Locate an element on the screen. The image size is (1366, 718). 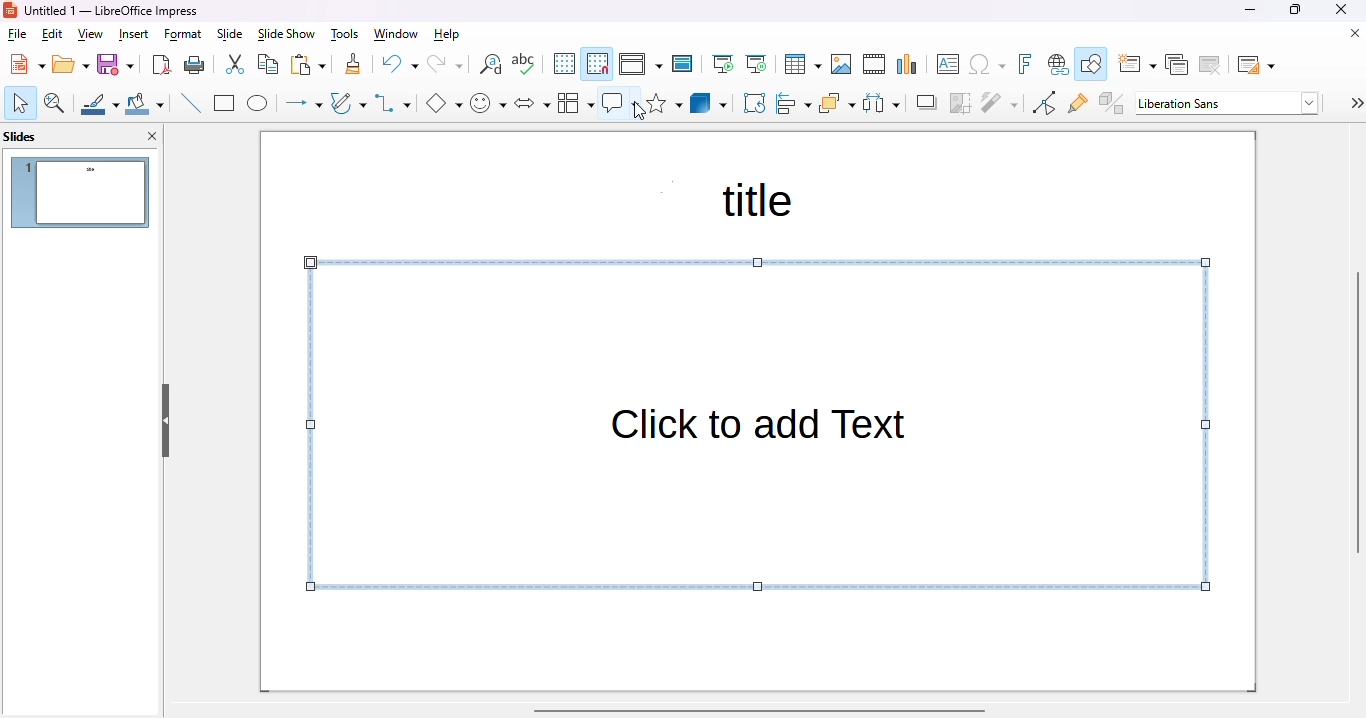
insert audio or video is located at coordinates (874, 64).